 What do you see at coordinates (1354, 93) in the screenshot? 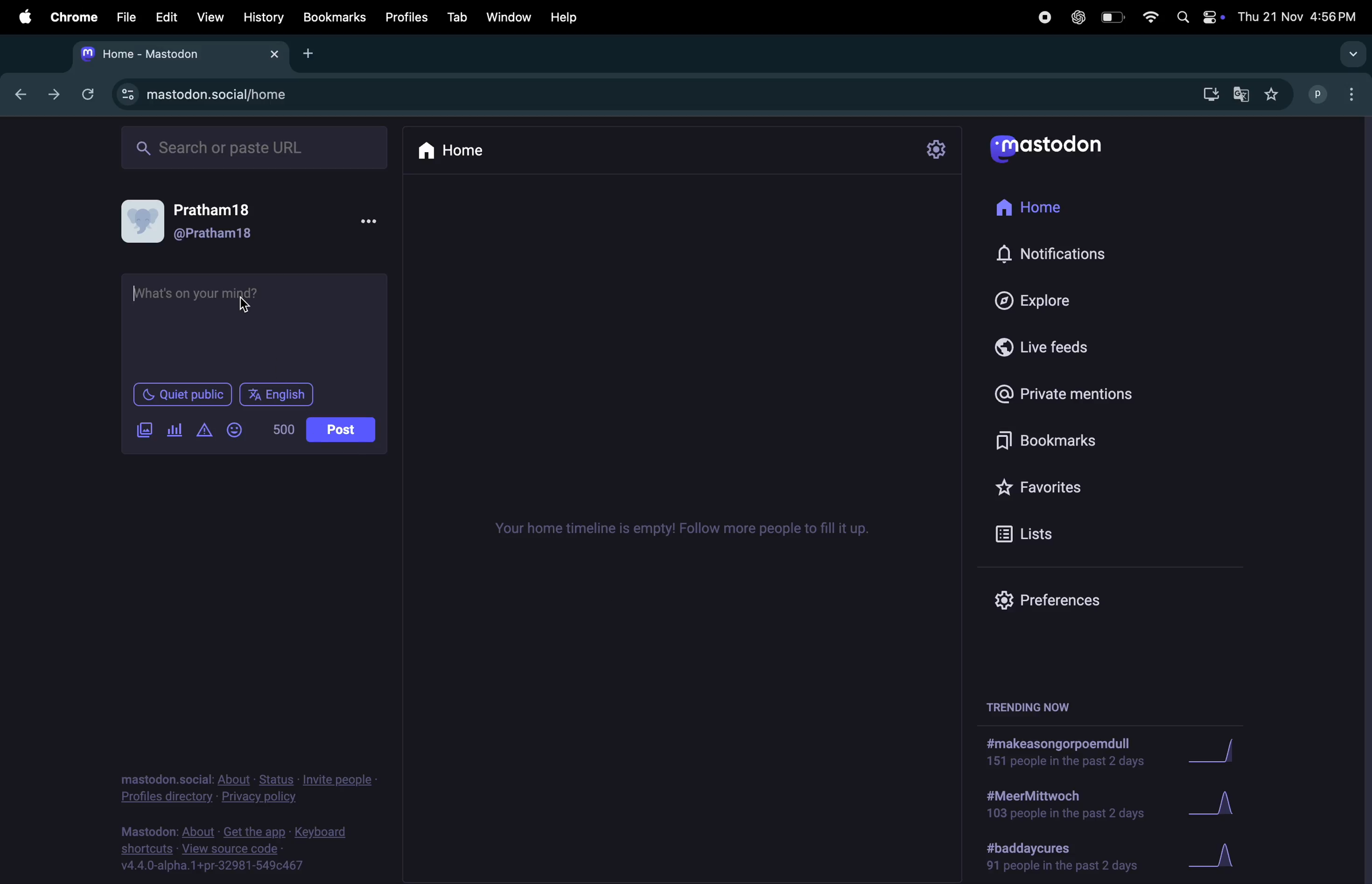
I see `optuons` at bounding box center [1354, 93].